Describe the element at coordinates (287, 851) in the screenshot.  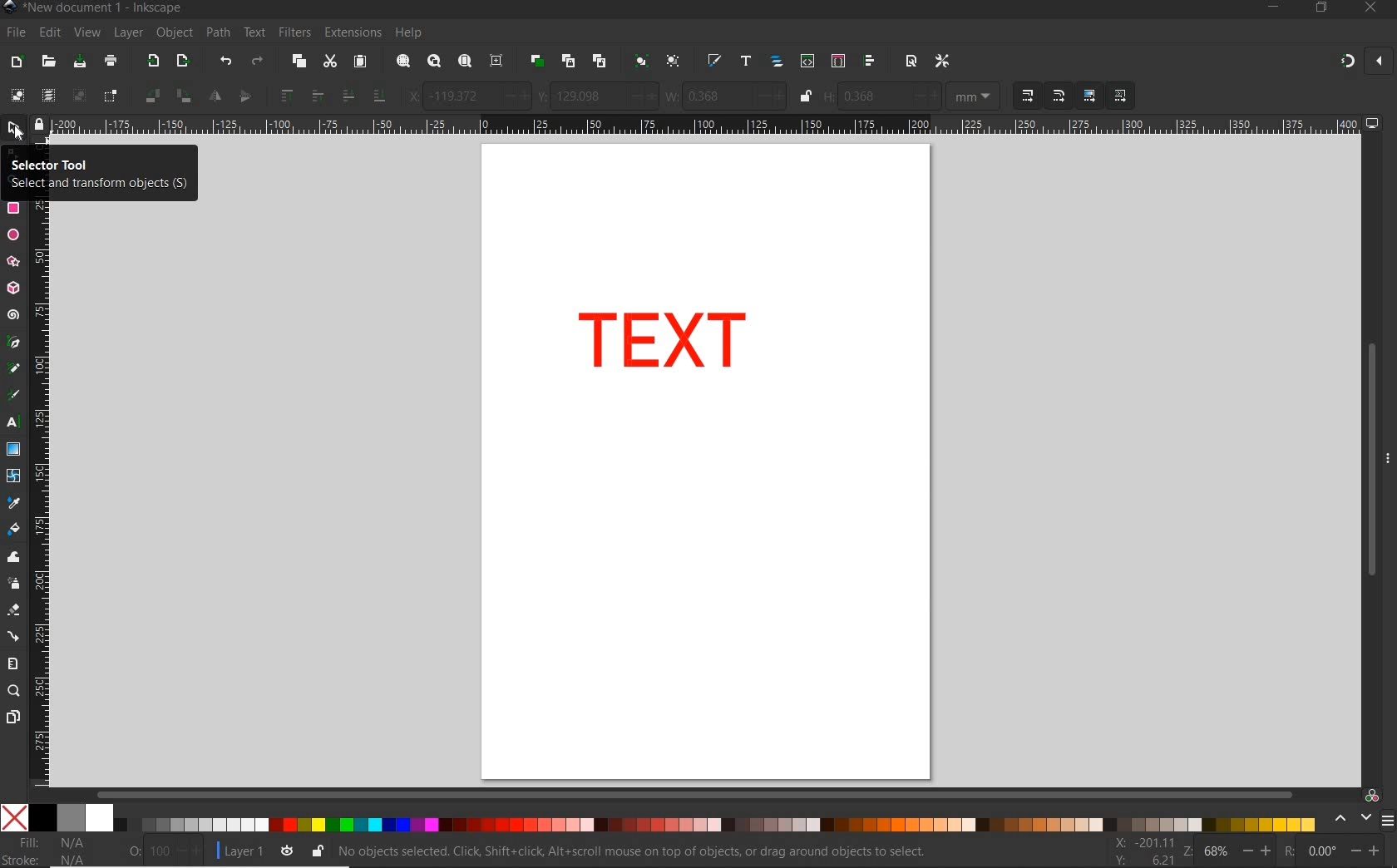
I see `TOGGLE CURRENT LAYER VISIBILITY` at that location.